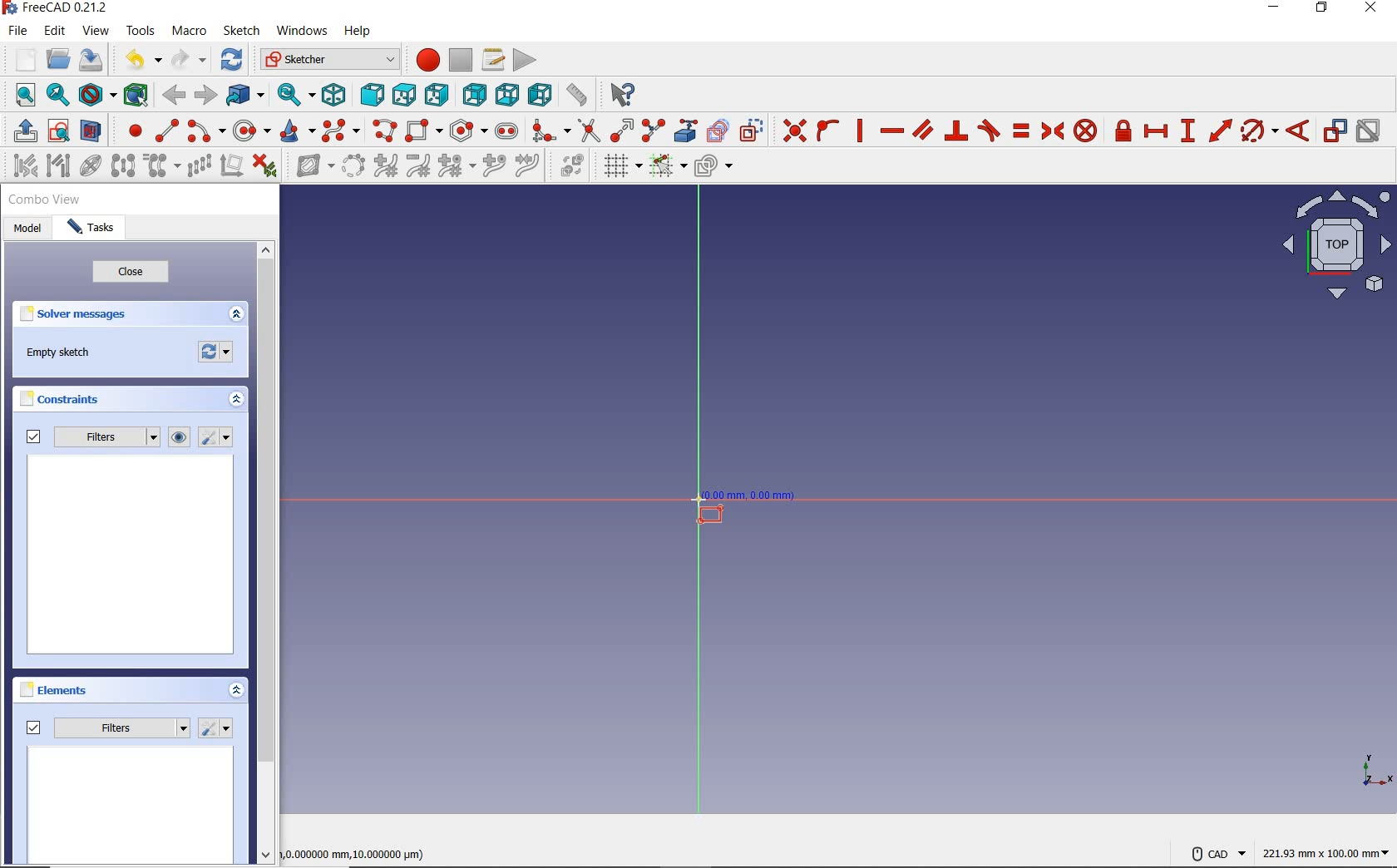 The image size is (1397, 868). I want to click on 221.93mmx100.00mm, so click(1325, 853).